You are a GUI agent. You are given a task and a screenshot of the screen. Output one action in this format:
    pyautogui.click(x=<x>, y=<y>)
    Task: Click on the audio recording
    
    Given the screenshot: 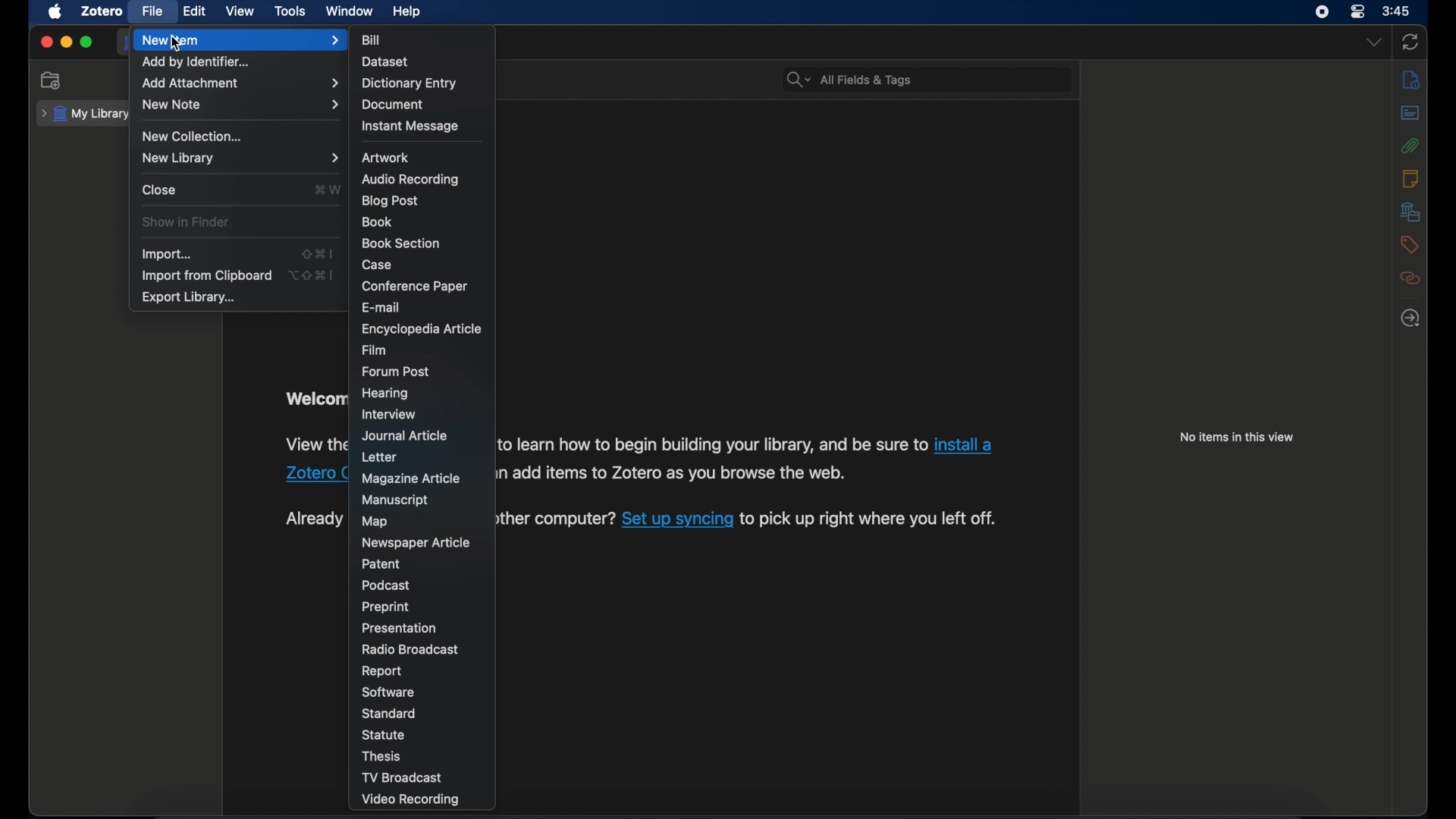 What is the action you would take?
    pyautogui.click(x=413, y=179)
    